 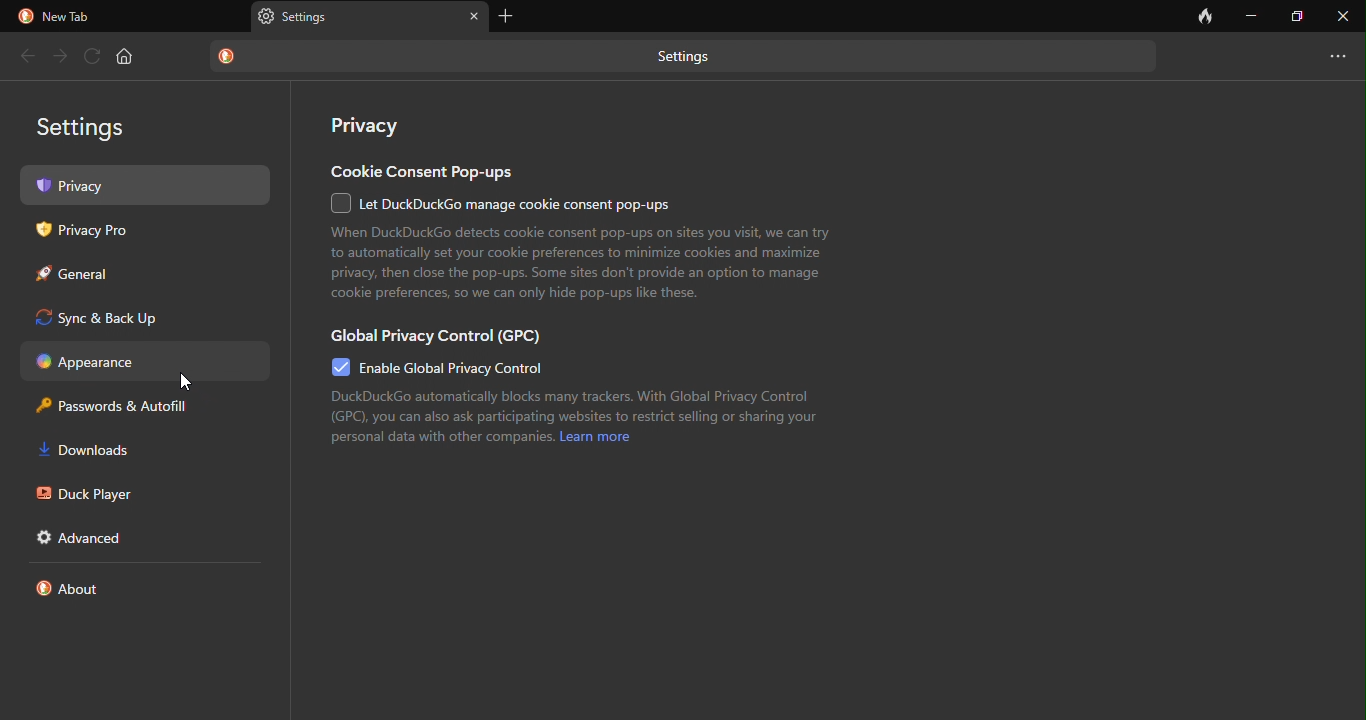 What do you see at coordinates (1342, 15) in the screenshot?
I see `close` at bounding box center [1342, 15].